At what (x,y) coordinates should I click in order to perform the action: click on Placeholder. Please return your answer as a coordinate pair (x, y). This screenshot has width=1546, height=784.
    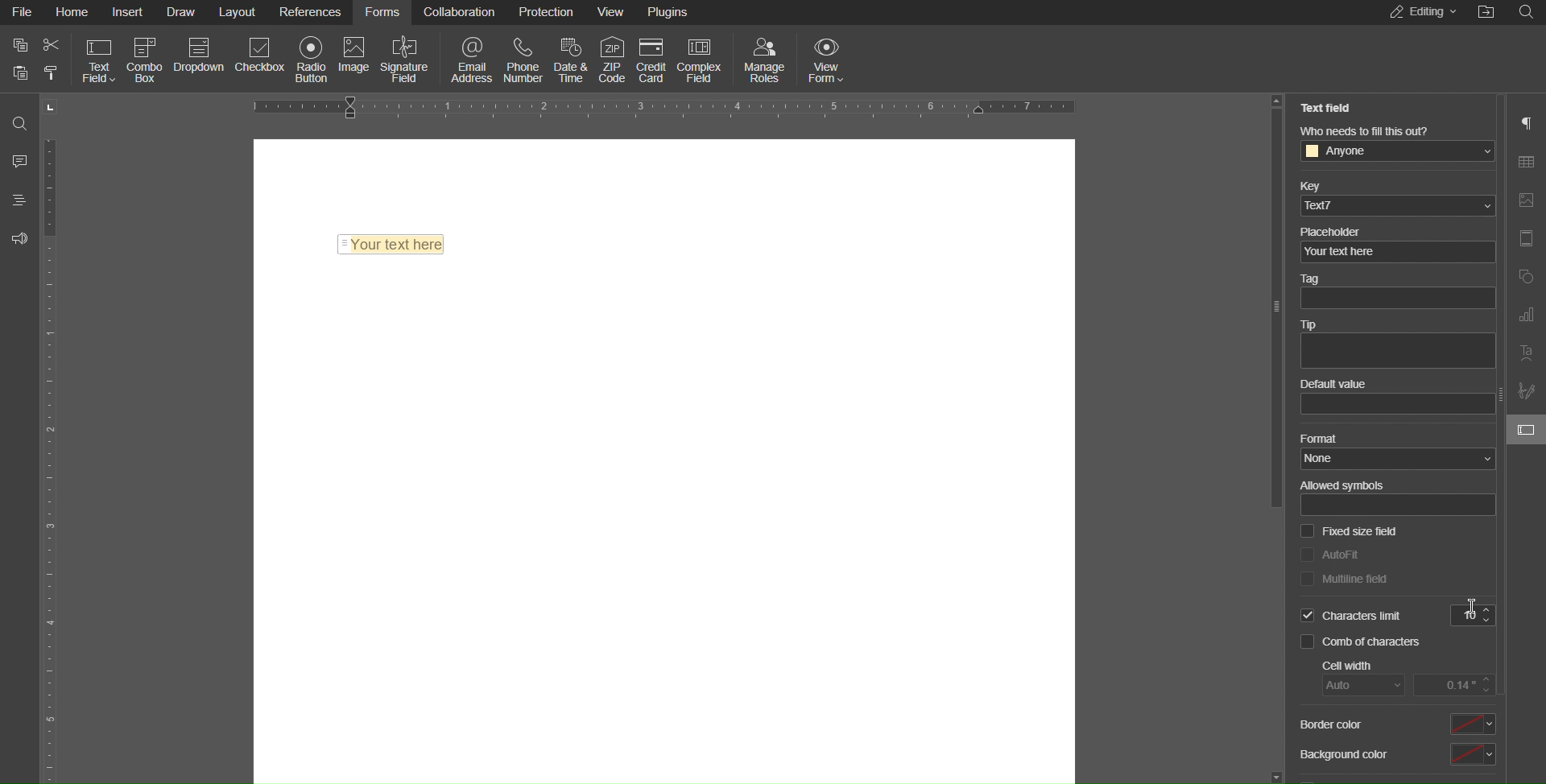
    Looking at the image, I should click on (1395, 242).